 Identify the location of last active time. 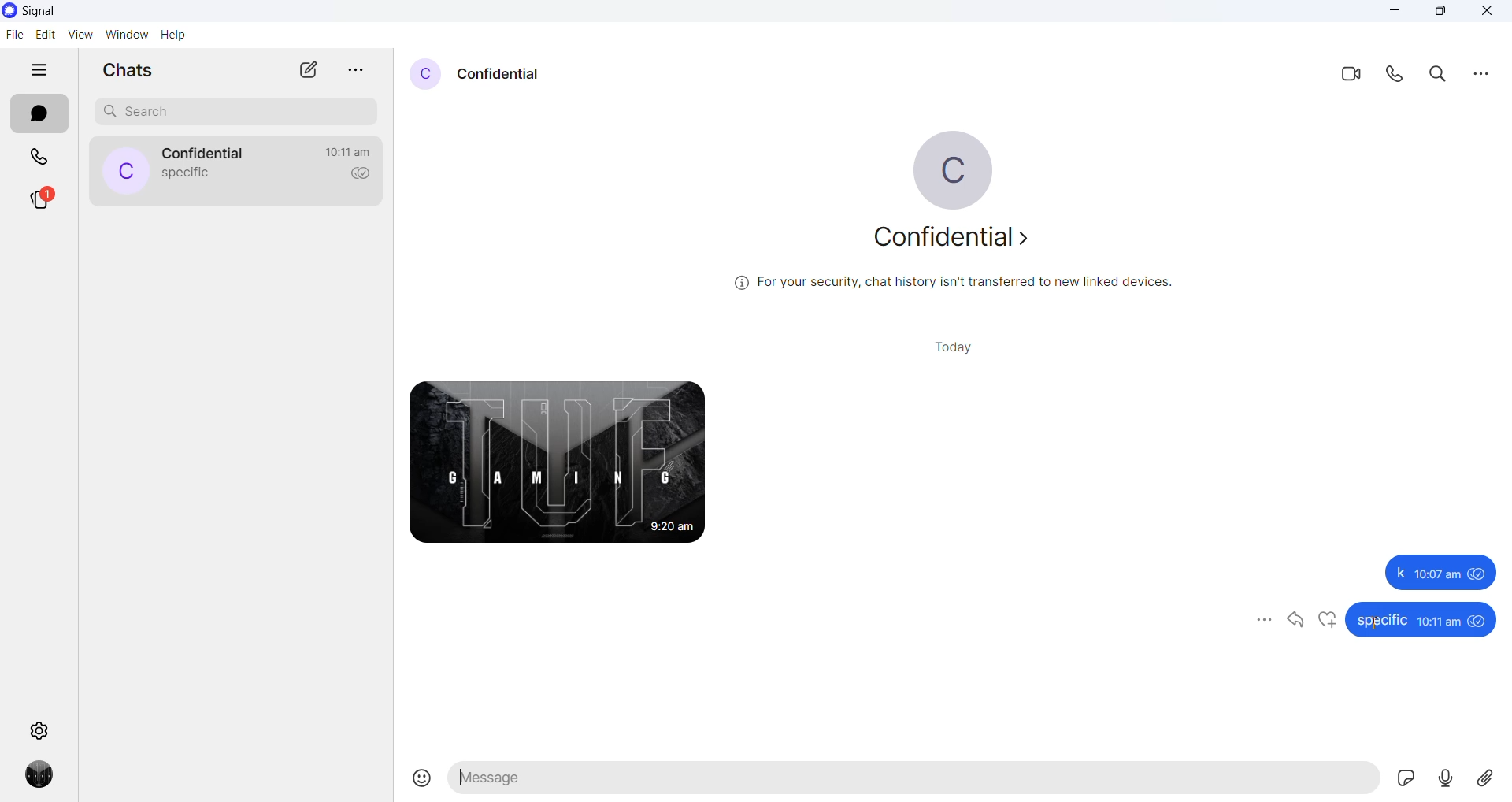
(346, 152).